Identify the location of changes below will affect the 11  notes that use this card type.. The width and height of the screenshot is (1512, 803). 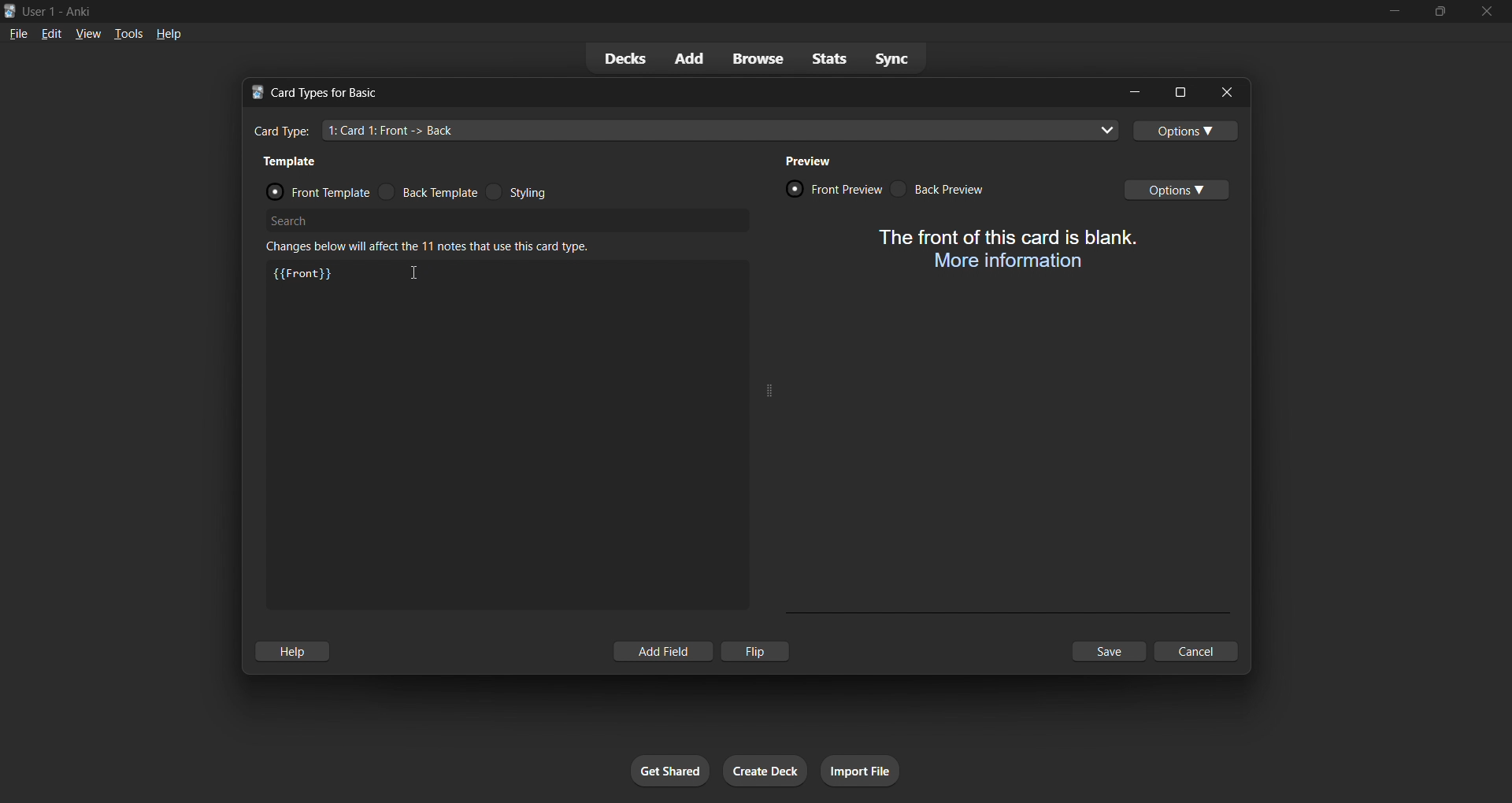
(433, 246).